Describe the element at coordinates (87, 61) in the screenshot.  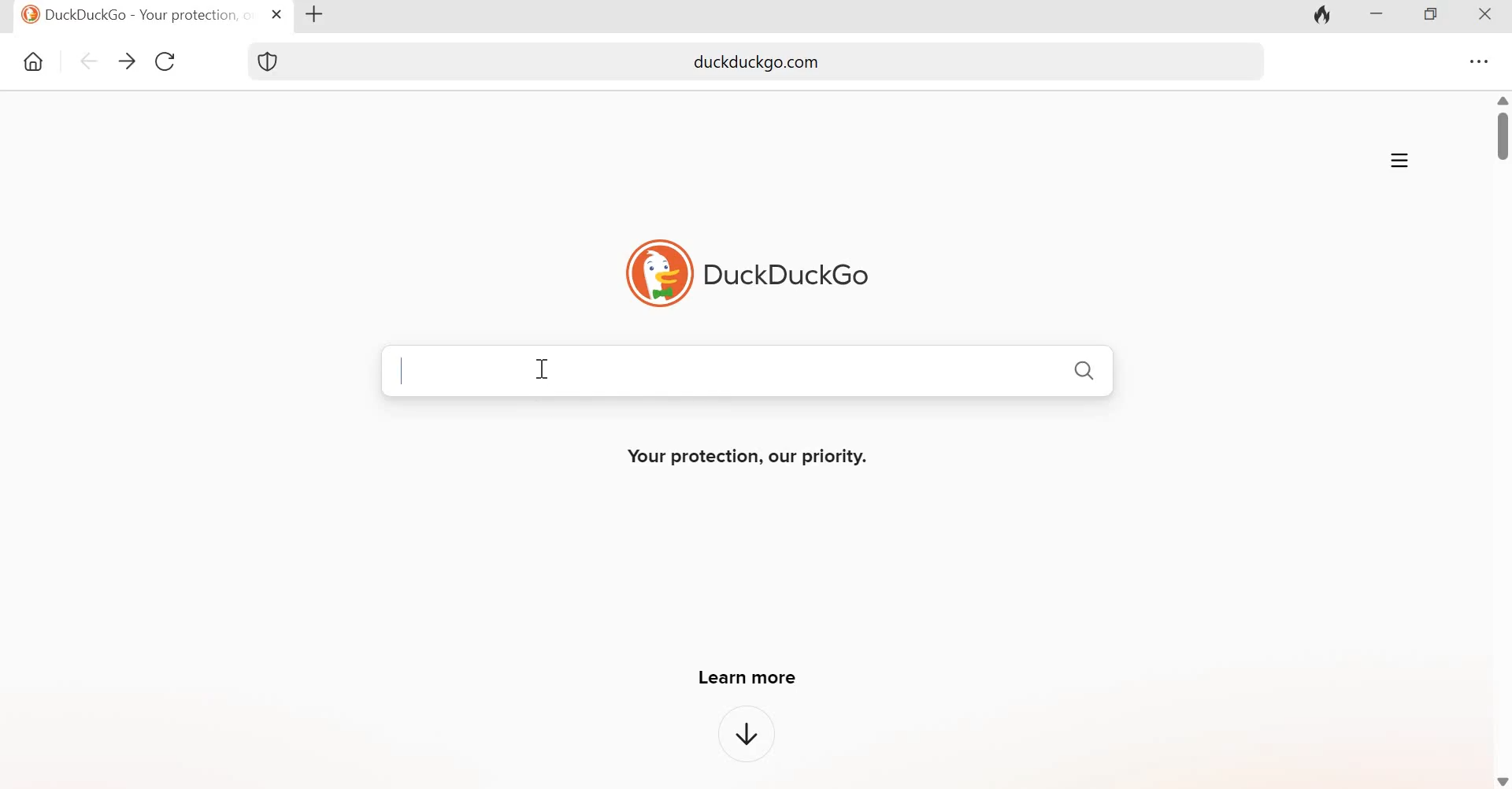
I see `go back one page` at that location.